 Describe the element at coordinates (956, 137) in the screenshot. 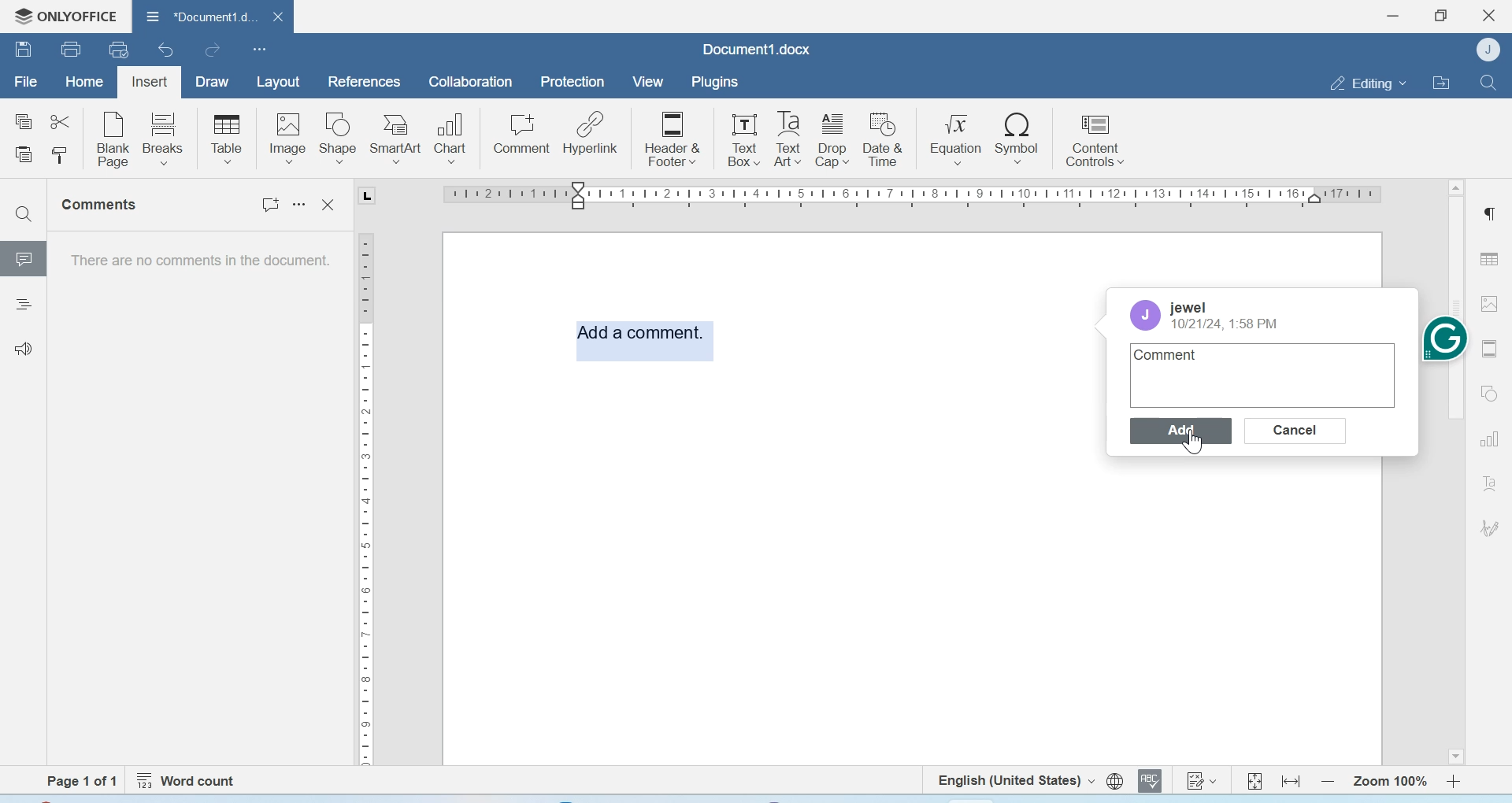

I see `Equation` at that location.